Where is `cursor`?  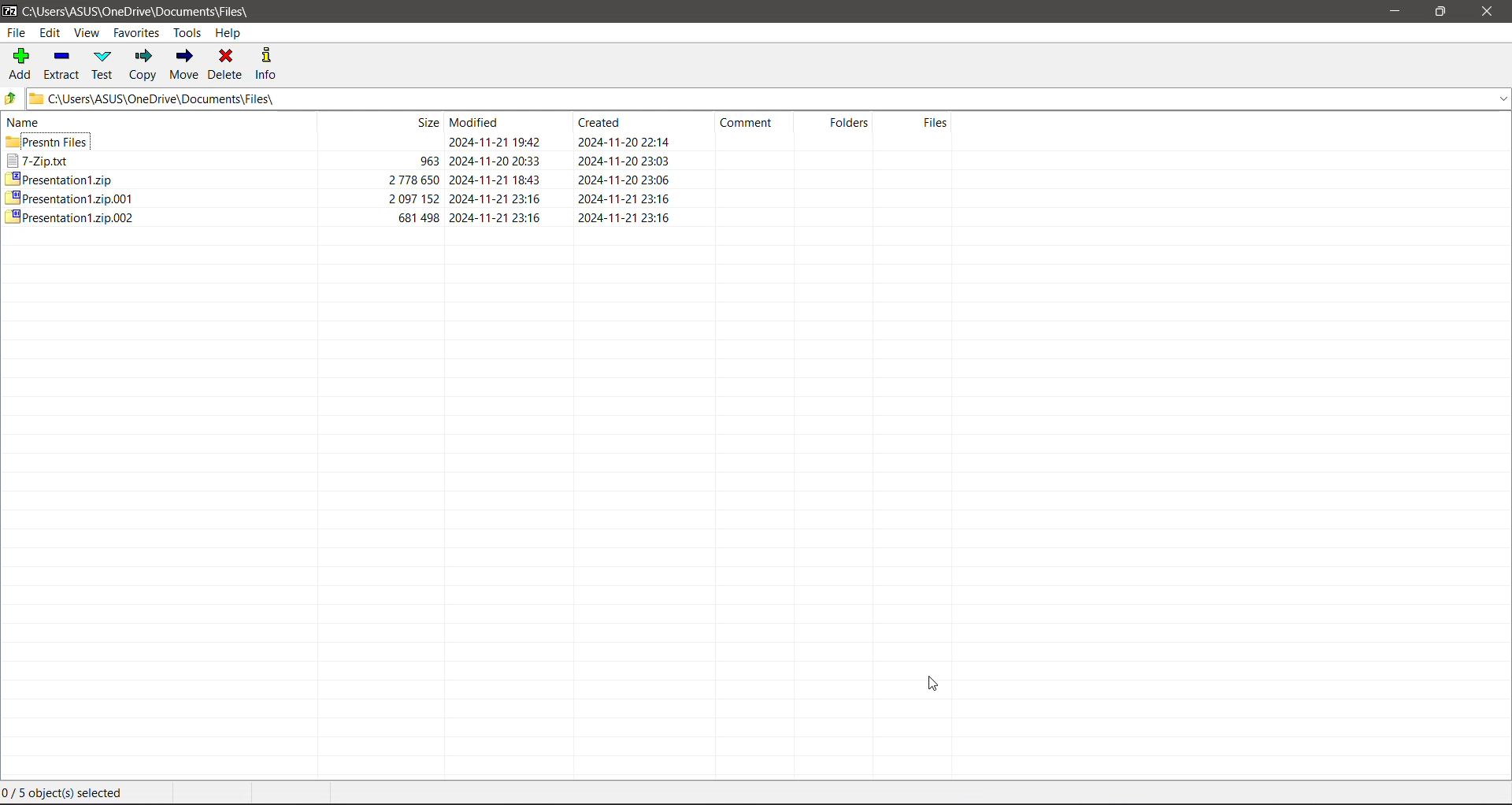
cursor is located at coordinates (921, 683).